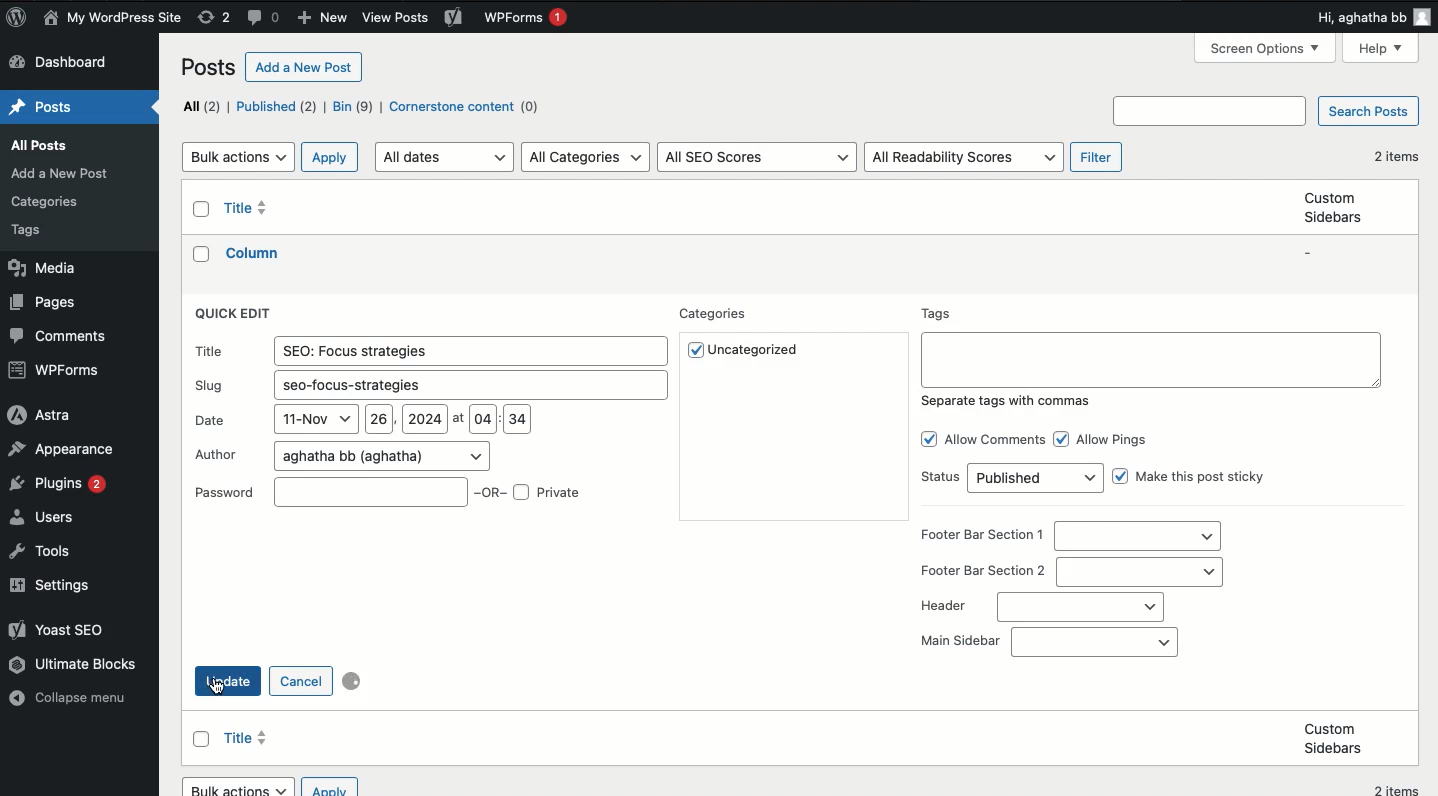  Describe the element at coordinates (1140, 571) in the screenshot. I see `section` at that location.